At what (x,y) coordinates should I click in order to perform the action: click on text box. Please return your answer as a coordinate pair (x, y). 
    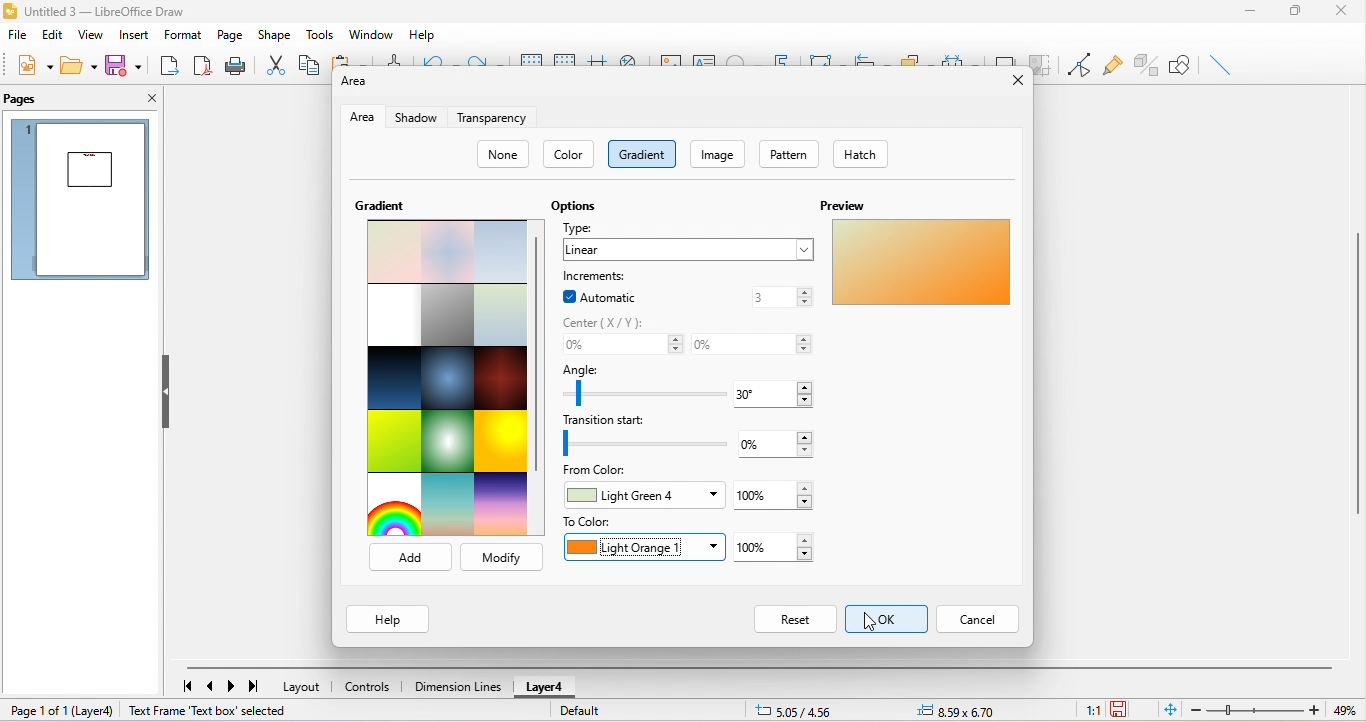
    Looking at the image, I should click on (706, 58).